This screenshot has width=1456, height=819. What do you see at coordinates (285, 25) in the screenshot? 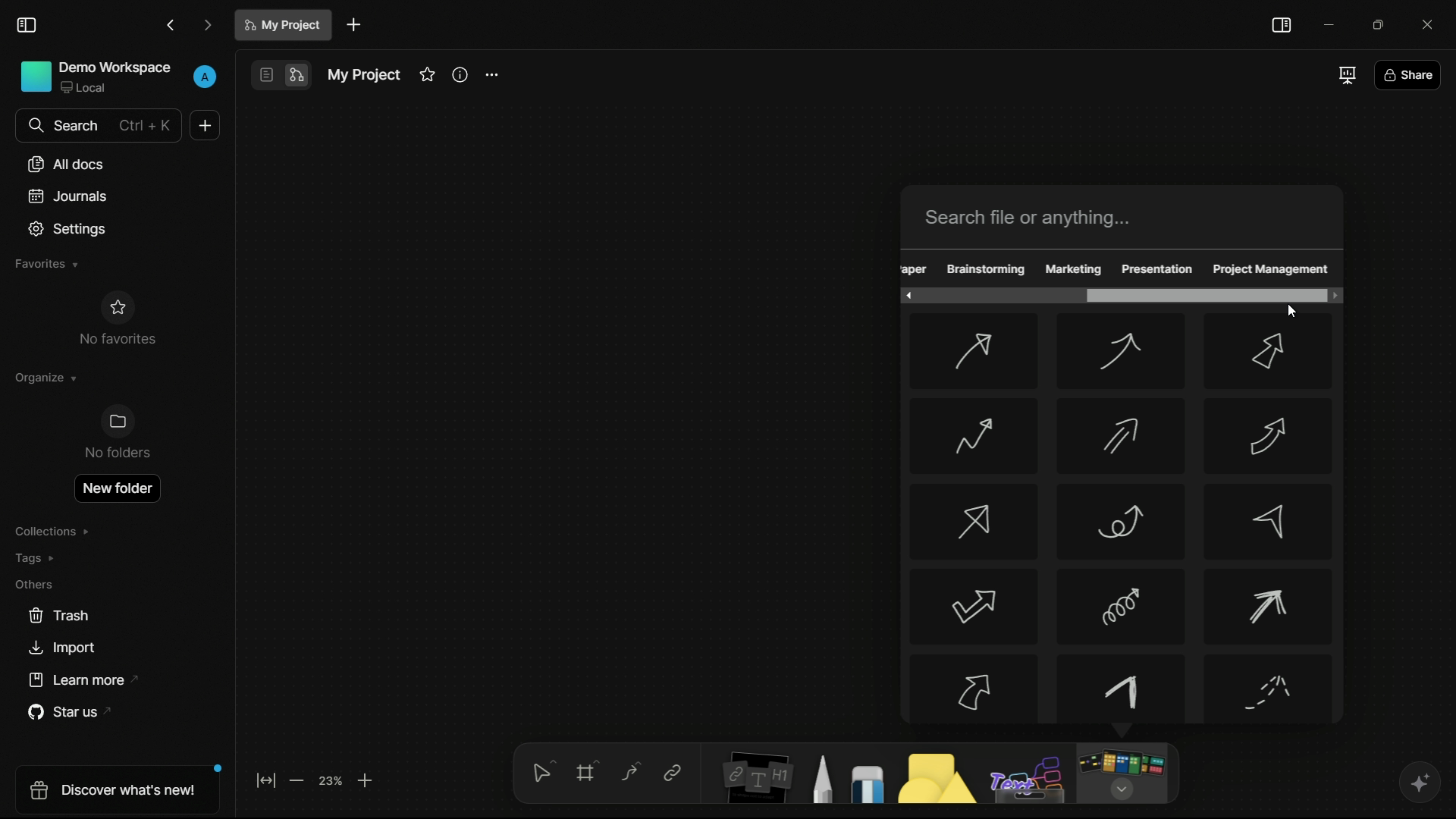
I see `document name` at bounding box center [285, 25].